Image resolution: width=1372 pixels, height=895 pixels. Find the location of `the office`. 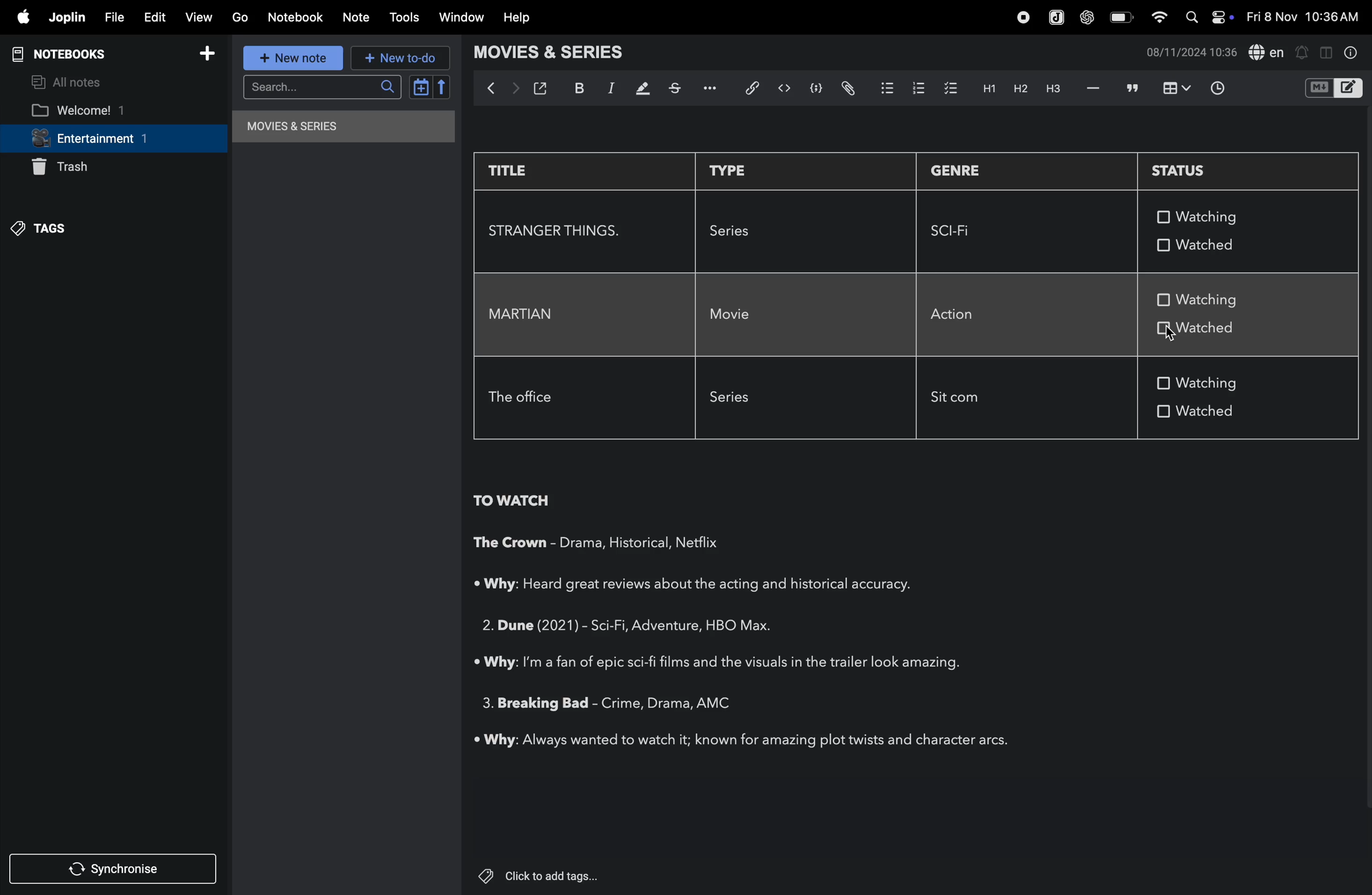

the office is located at coordinates (524, 399).